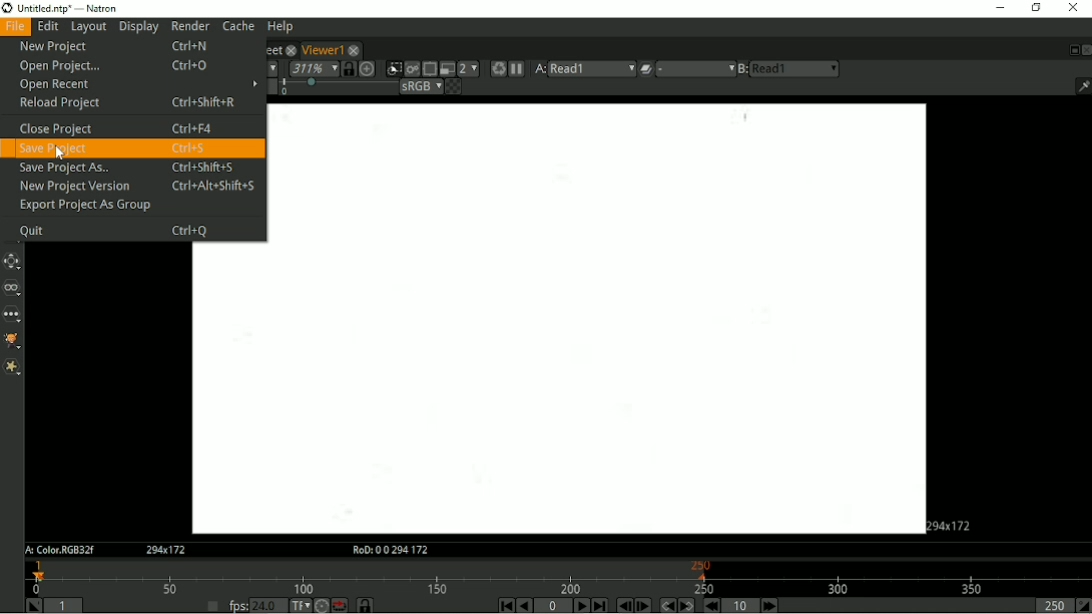  Describe the element at coordinates (267, 605) in the screenshot. I see `24` at that location.